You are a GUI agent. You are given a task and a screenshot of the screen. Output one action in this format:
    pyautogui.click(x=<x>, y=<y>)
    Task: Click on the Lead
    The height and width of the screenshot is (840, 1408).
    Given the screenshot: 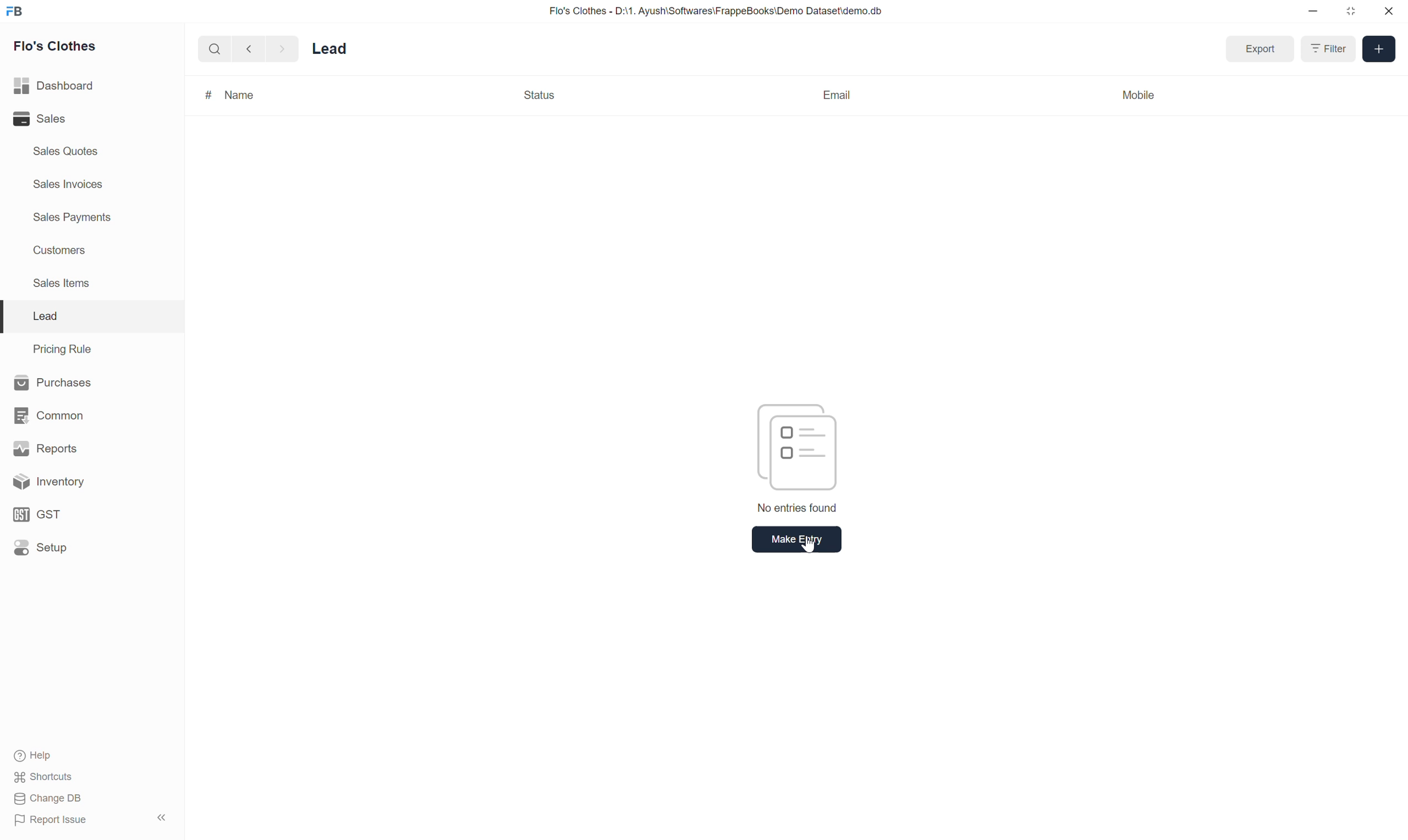 What is the action you would take?
    pyautogui.click(x=45, y=316)
    